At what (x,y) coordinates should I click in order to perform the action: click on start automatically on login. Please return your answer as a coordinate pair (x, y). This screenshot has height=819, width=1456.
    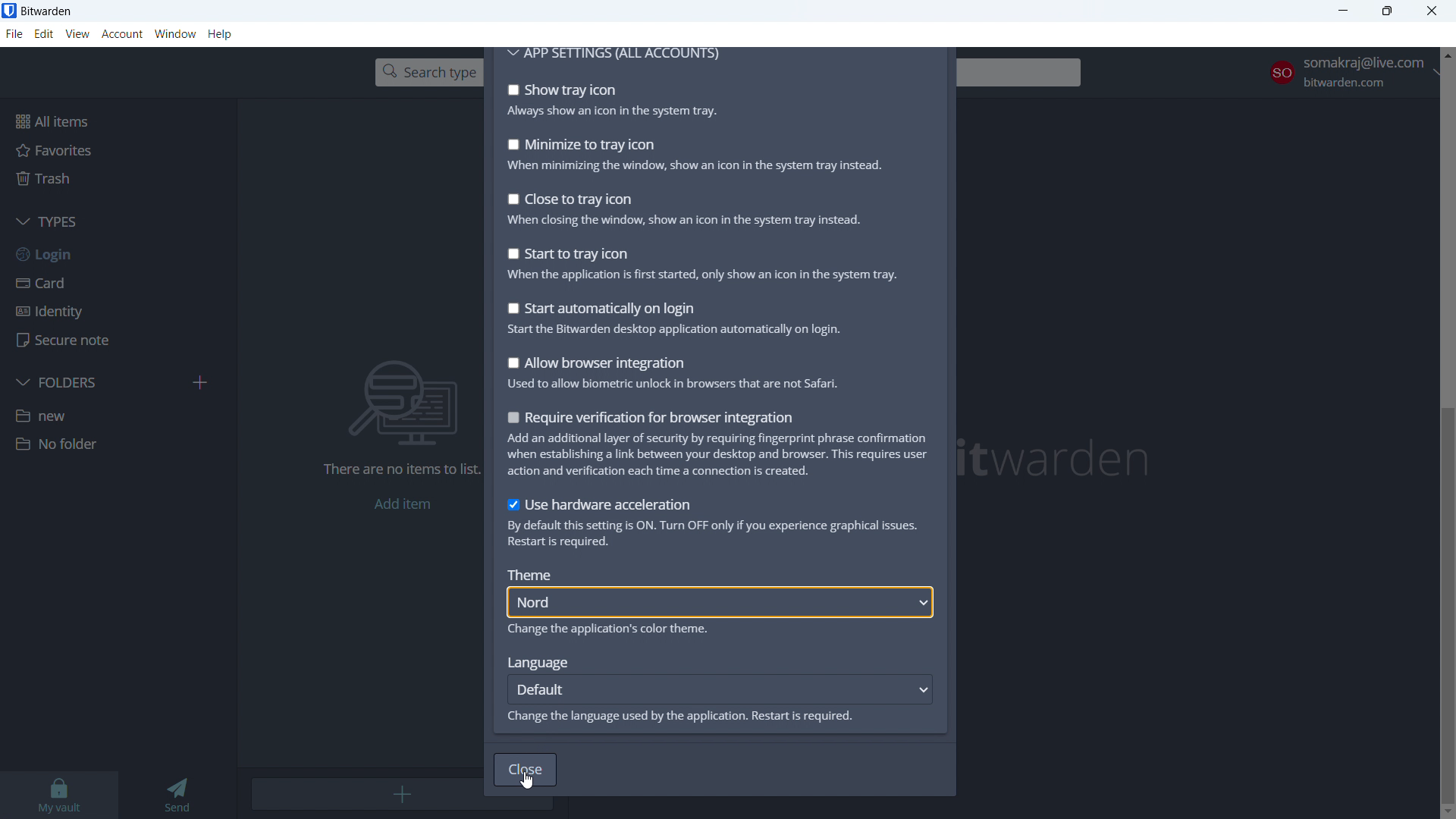
    Looking at the image, I should click on (714, 318).